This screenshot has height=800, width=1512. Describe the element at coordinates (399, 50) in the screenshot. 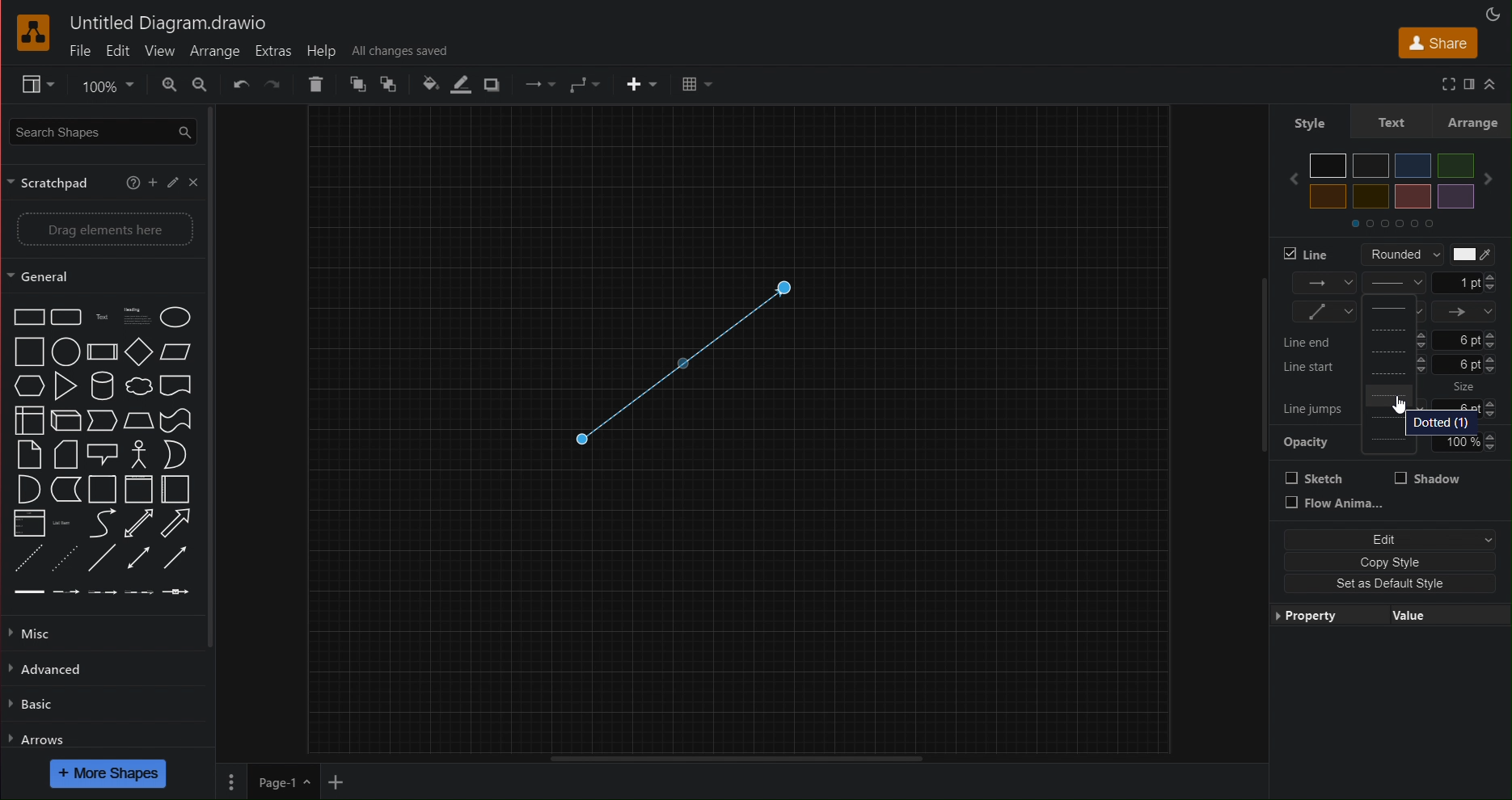

I see `All changes saved ` at that location.